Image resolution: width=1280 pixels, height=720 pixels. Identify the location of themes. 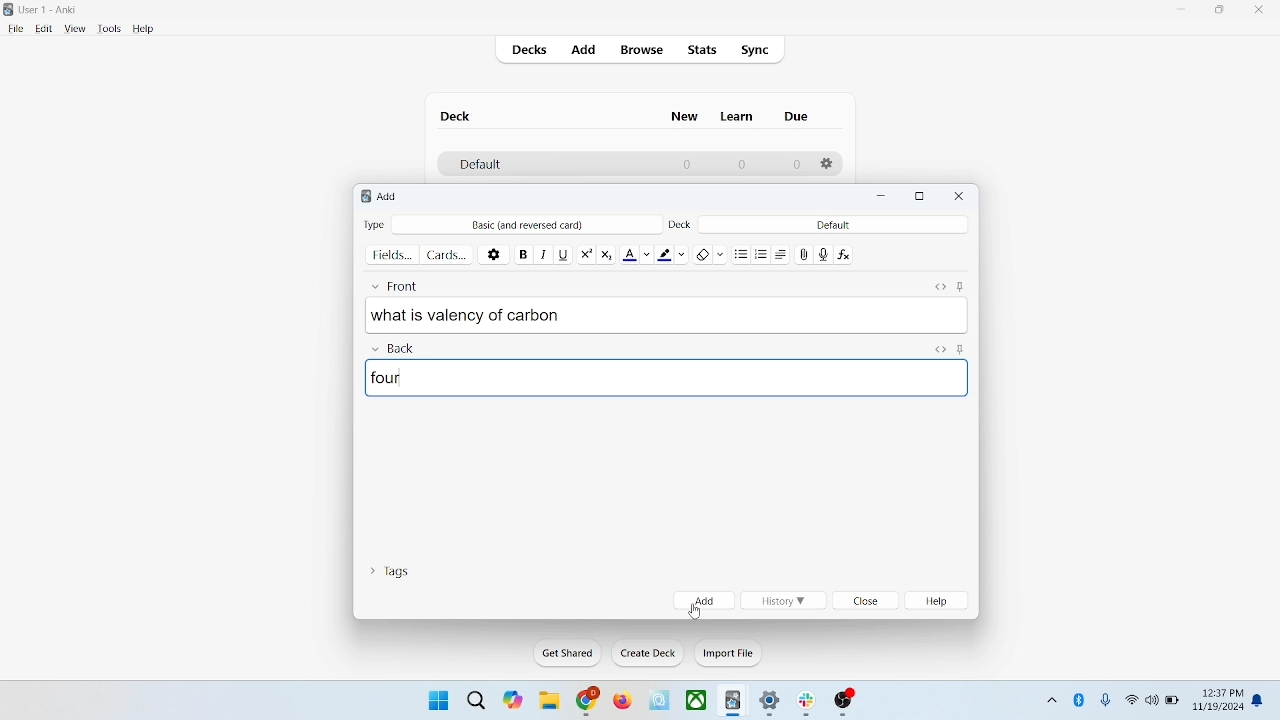
(513, 700).